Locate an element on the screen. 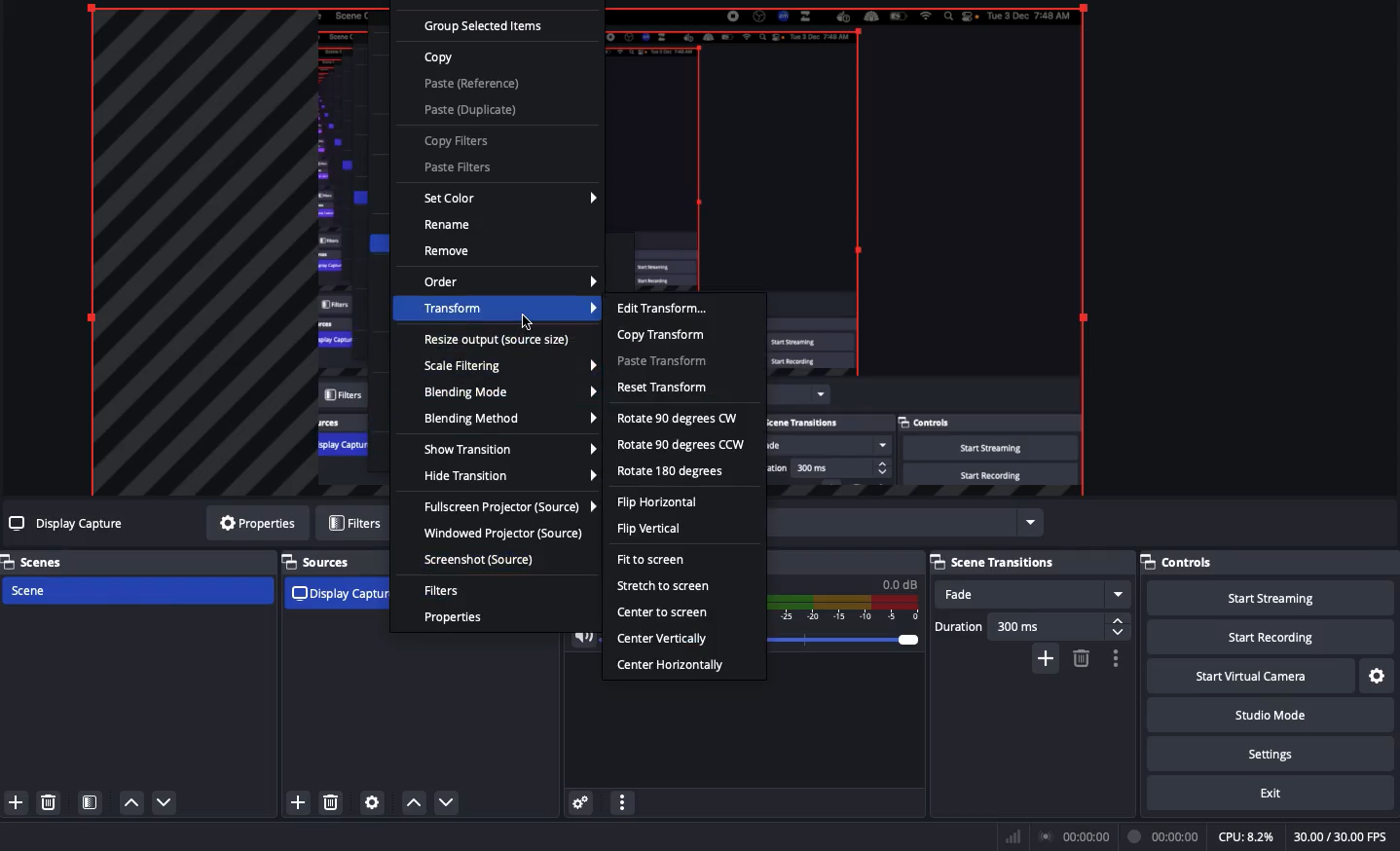 The image size is (1400, 851). Advanced audio properties is located at coordinates (583, 801).